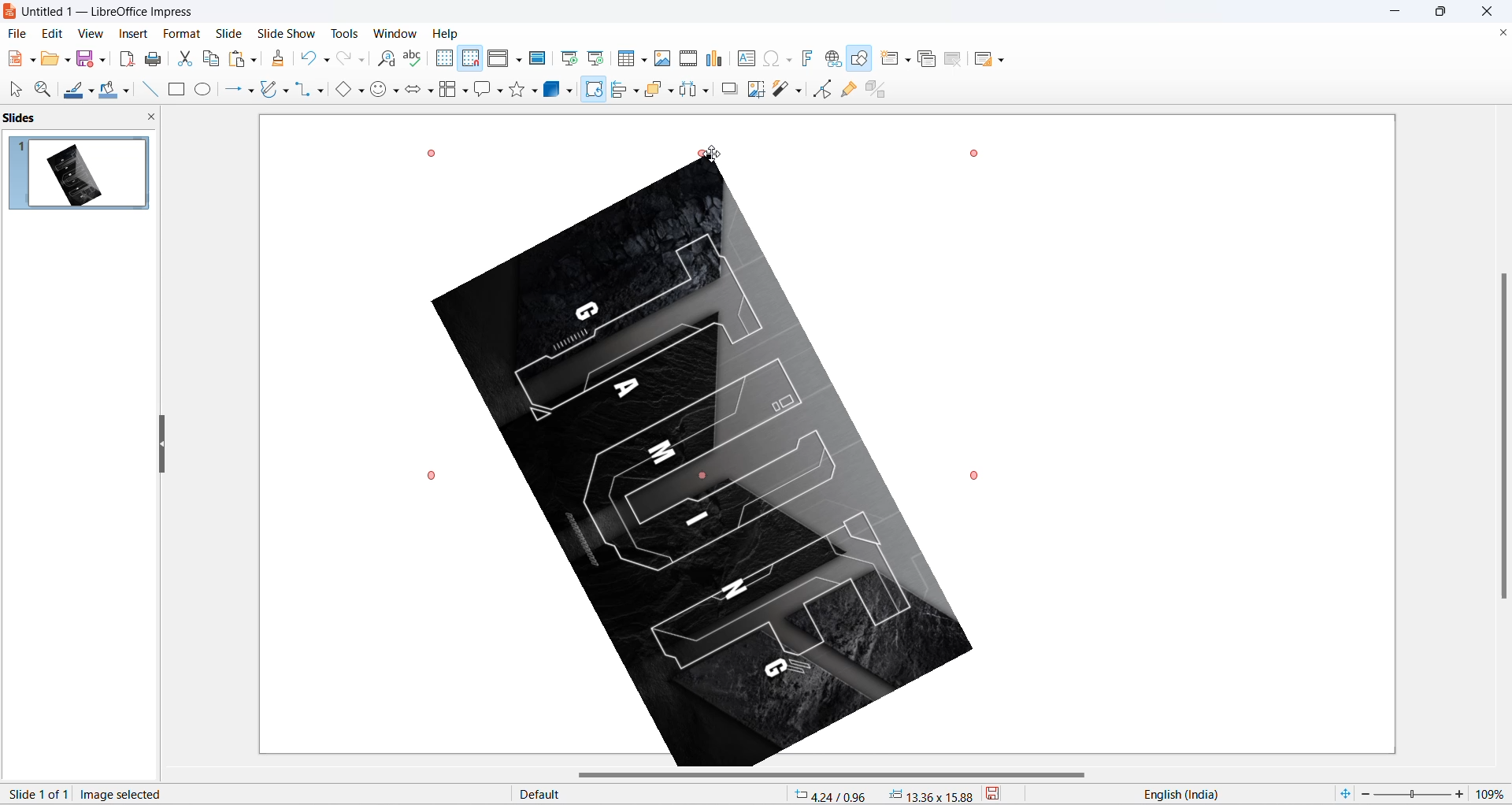 The height and width of the screenshot is (805, 1512). Describe the element at coordinates (126, 57) in the screenshot. I see `export as pdf` at that location.